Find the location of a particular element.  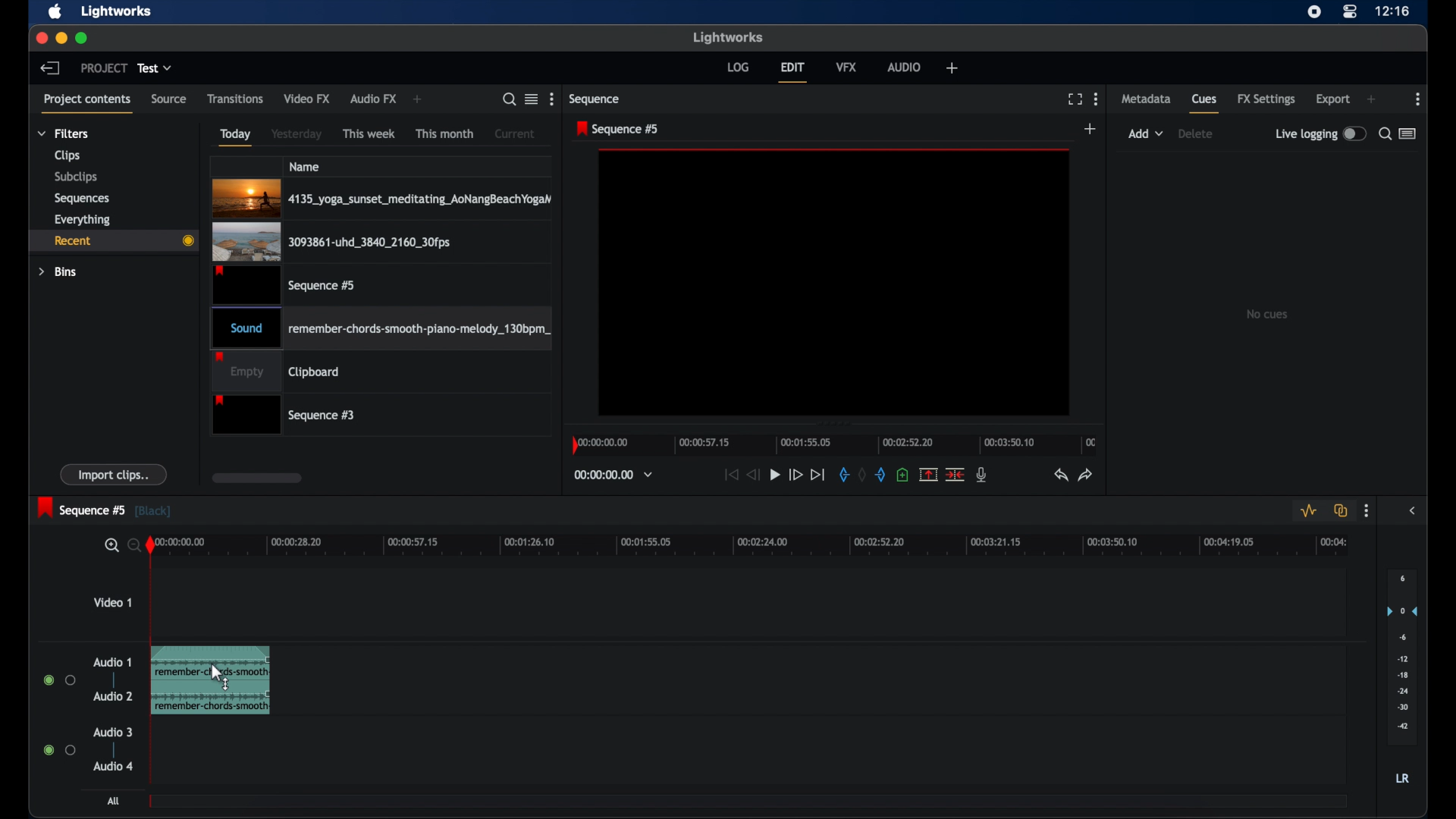

transitions is located at coordinates (235, 99).